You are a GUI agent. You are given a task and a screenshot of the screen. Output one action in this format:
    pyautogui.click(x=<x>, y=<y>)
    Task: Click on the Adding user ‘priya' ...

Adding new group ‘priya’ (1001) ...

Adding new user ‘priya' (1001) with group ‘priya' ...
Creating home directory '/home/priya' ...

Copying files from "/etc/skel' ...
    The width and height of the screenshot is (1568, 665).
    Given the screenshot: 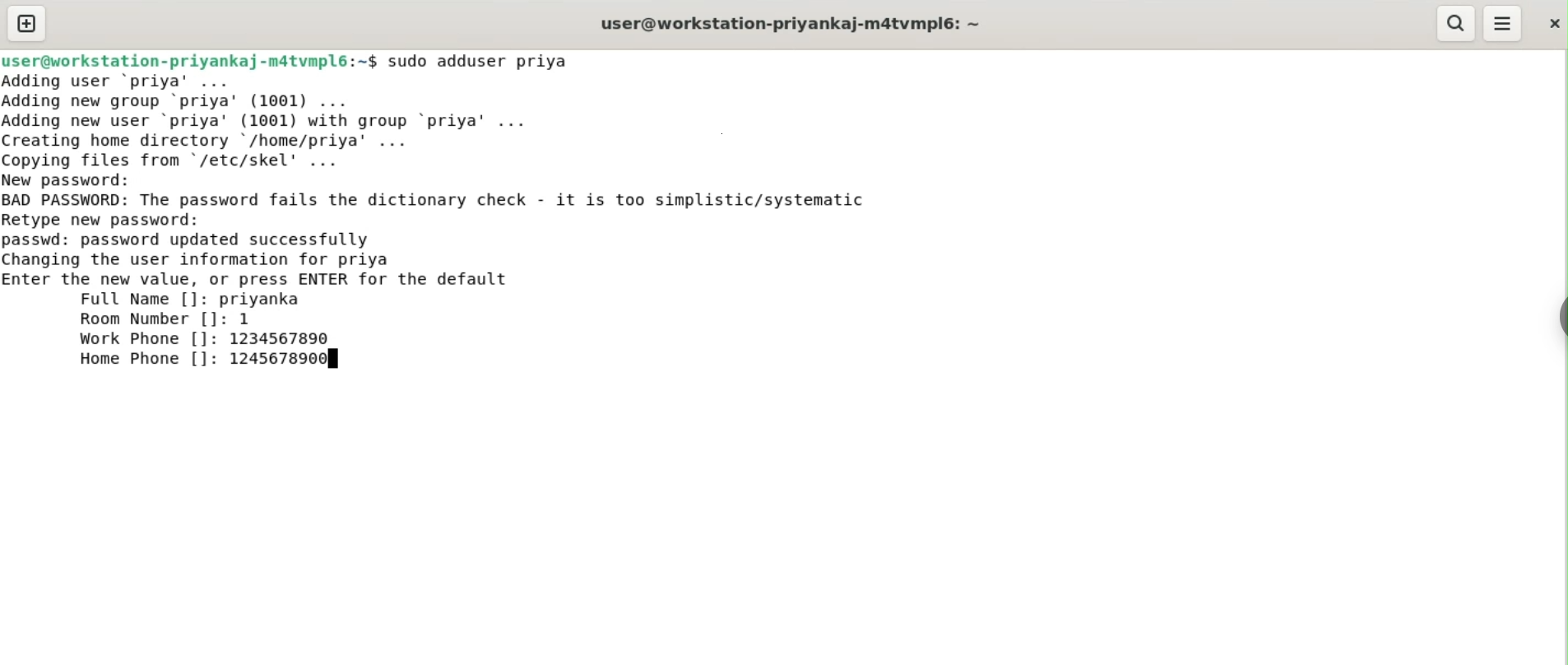 What is the action you would take?
    pyautogui.click(x=274, y=121)
    